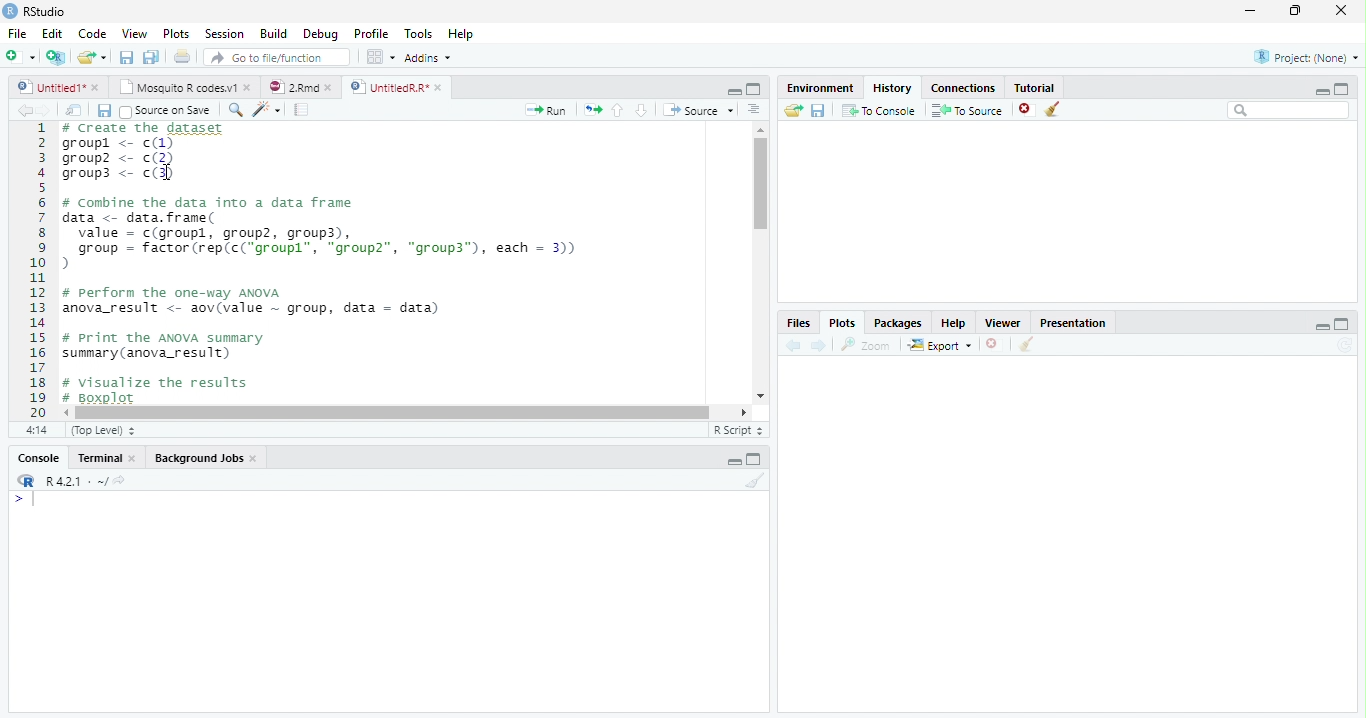 The height and width of the screenshot is (718, 1366). What do you see at coordinates (19, 56) in the screenshot?
I see `New file` at bounding box center [19, 56].